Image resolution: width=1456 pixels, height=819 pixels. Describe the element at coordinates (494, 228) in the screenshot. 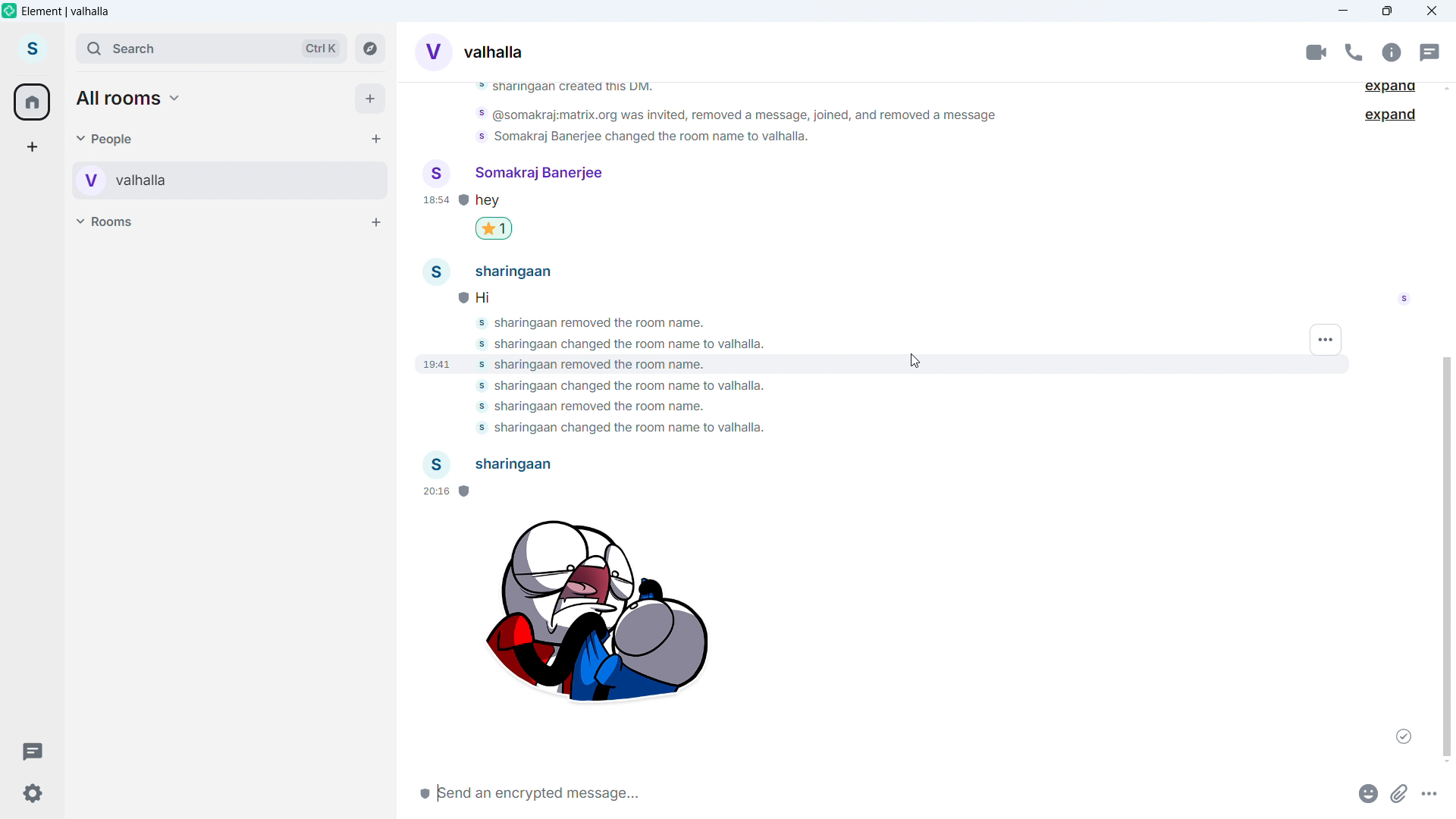

I see `message starred` at that location.